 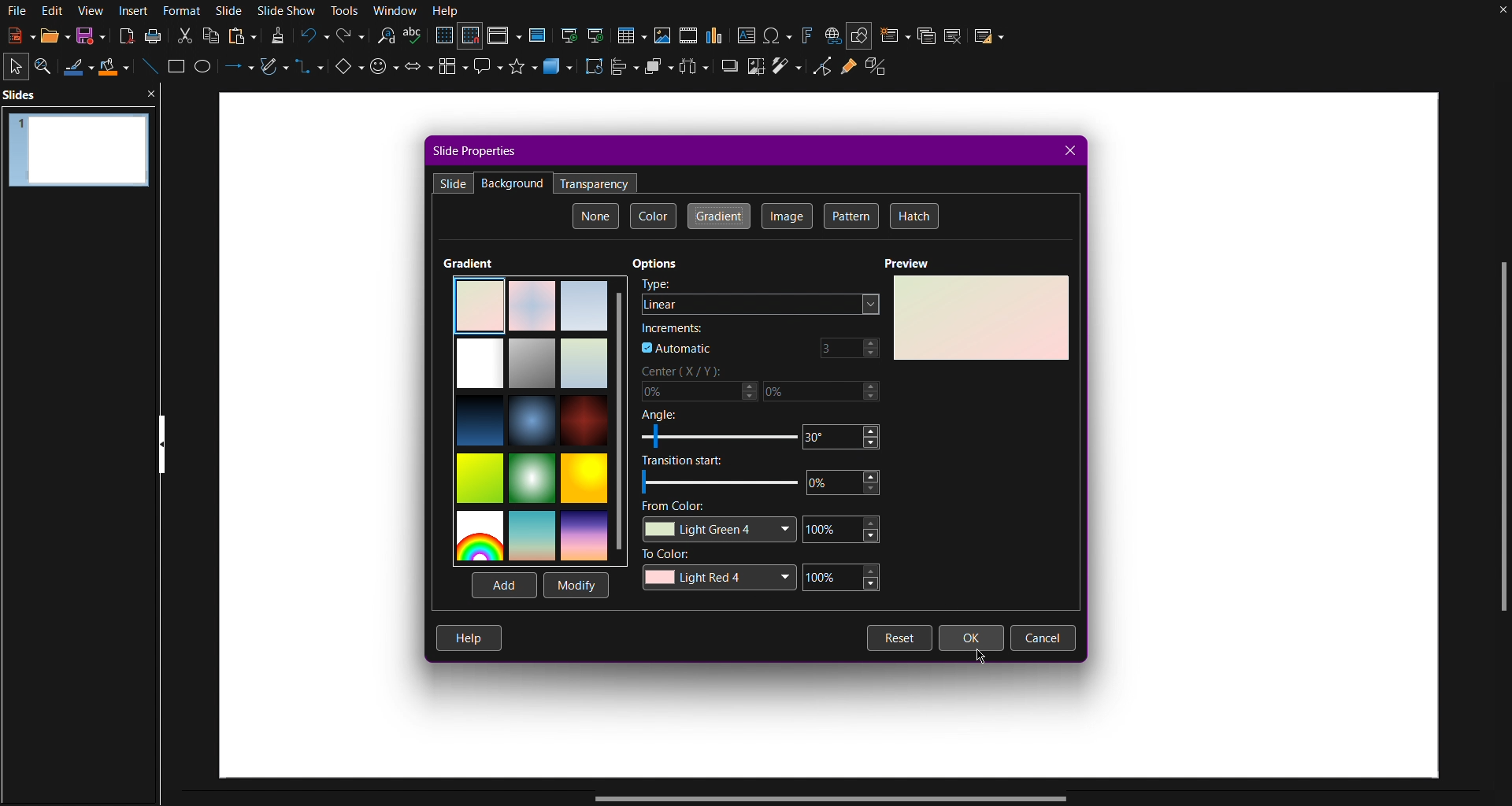 I want to click on To Color, so click(x=766, y=571).